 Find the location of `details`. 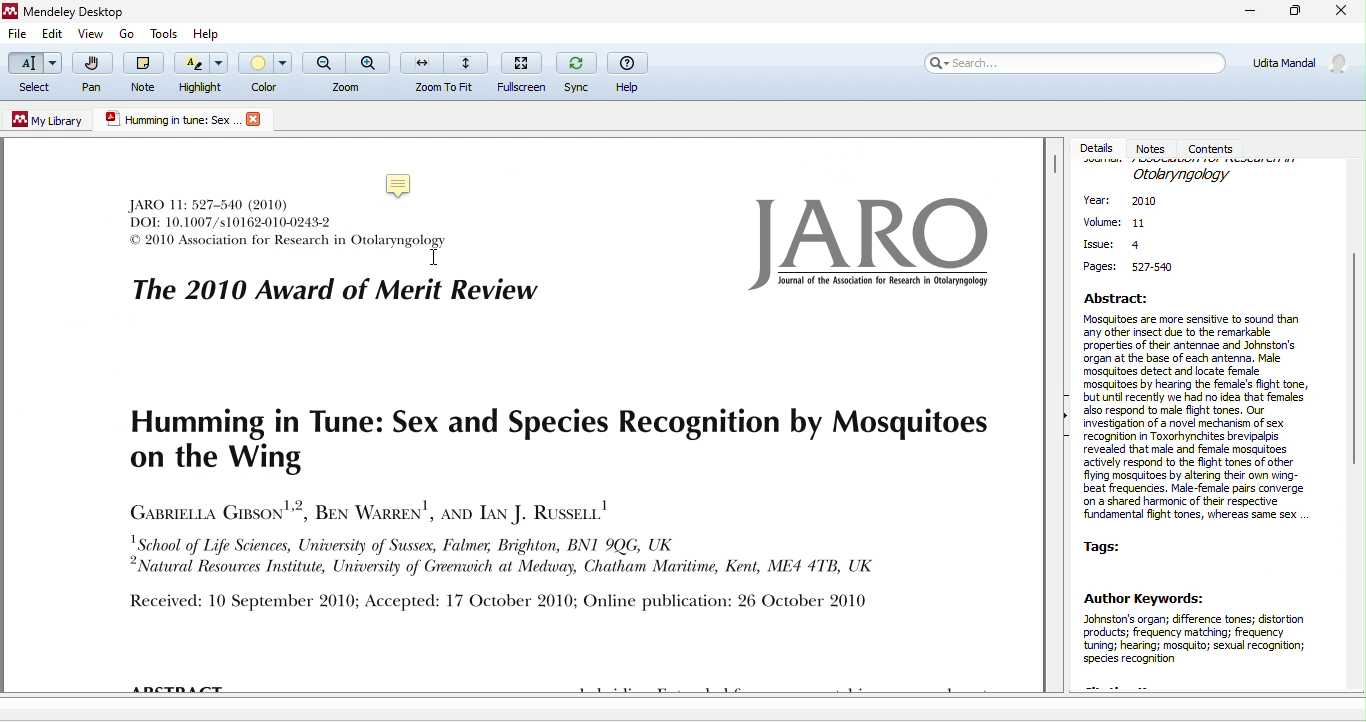

details is located at coordinates (1098, 148).